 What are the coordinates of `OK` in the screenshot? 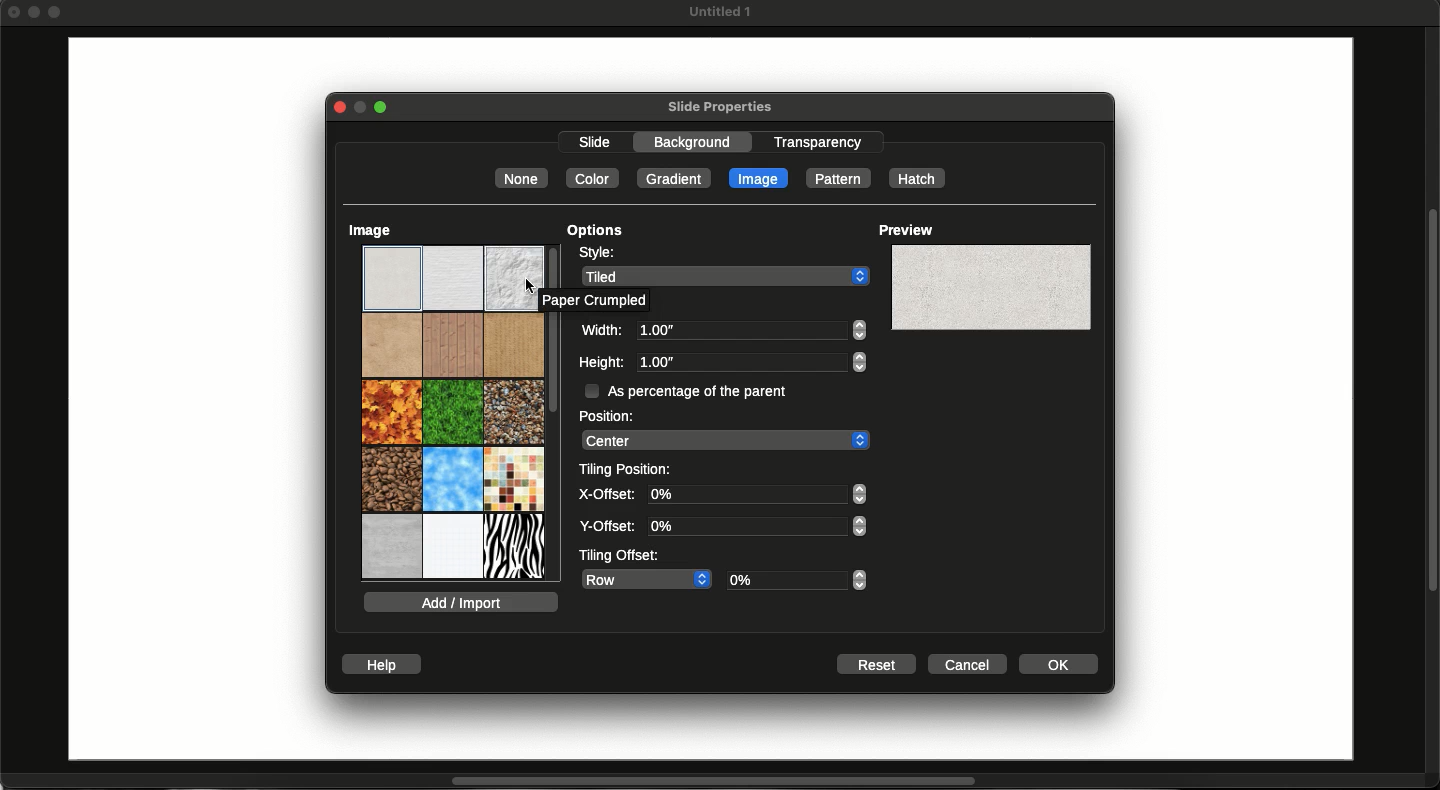 It's located at (1060, 663).